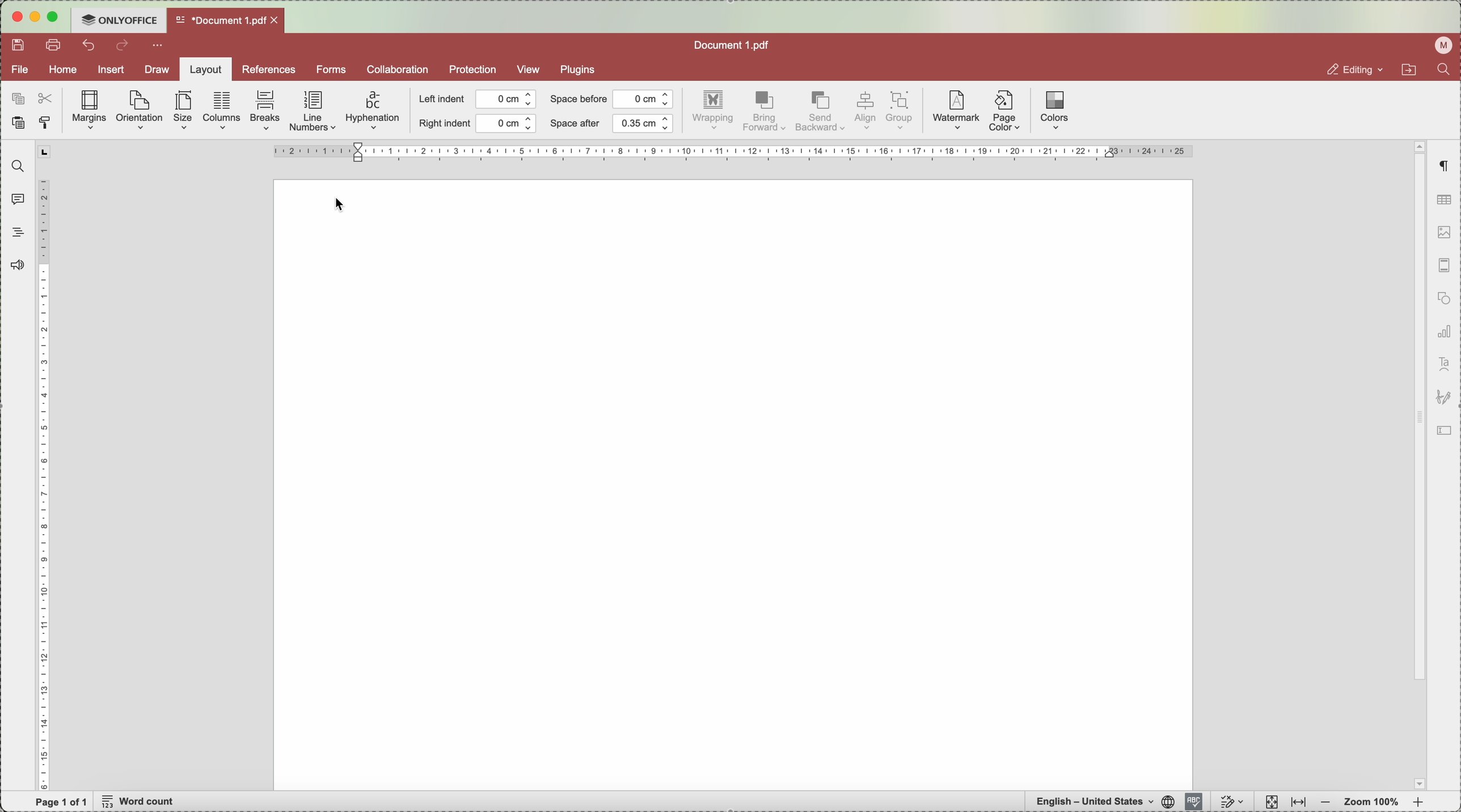 This screenshot has width=1461, height=812. What do you see at coordinates (1442, 268) in the screenshot?
I see `page thumbnails` at bounding box center [1442, 268].